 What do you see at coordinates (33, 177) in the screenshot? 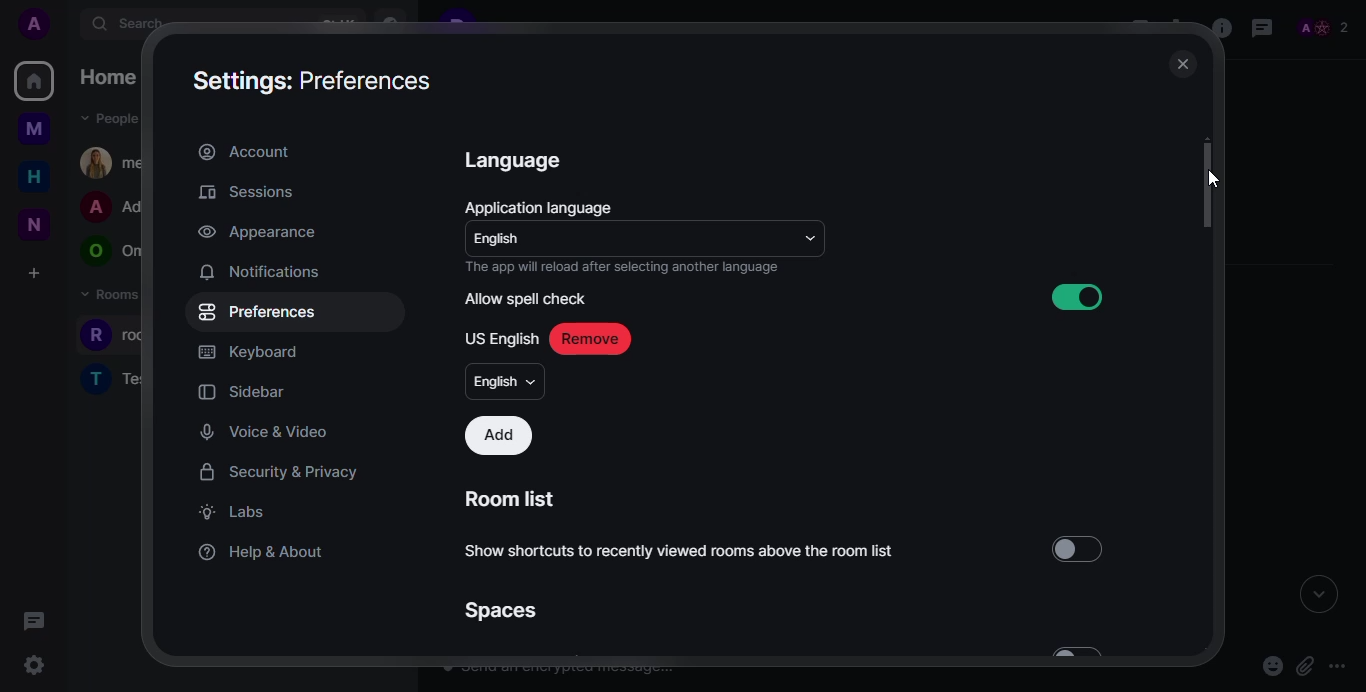
I see `home` at bounding box center [33, 177].